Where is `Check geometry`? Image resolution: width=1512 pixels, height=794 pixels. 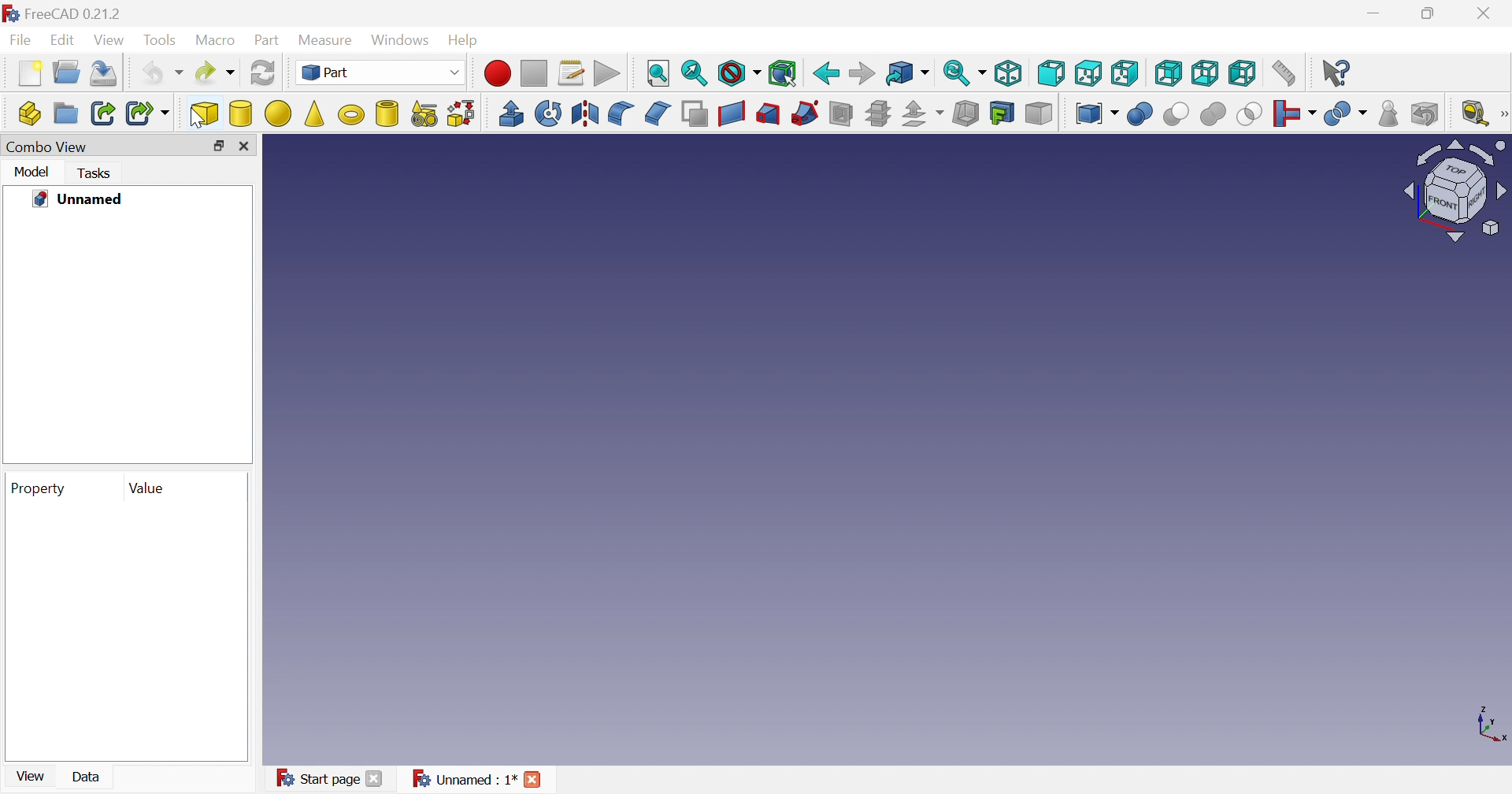
Check geometry is located at coordinates (1389, 114).